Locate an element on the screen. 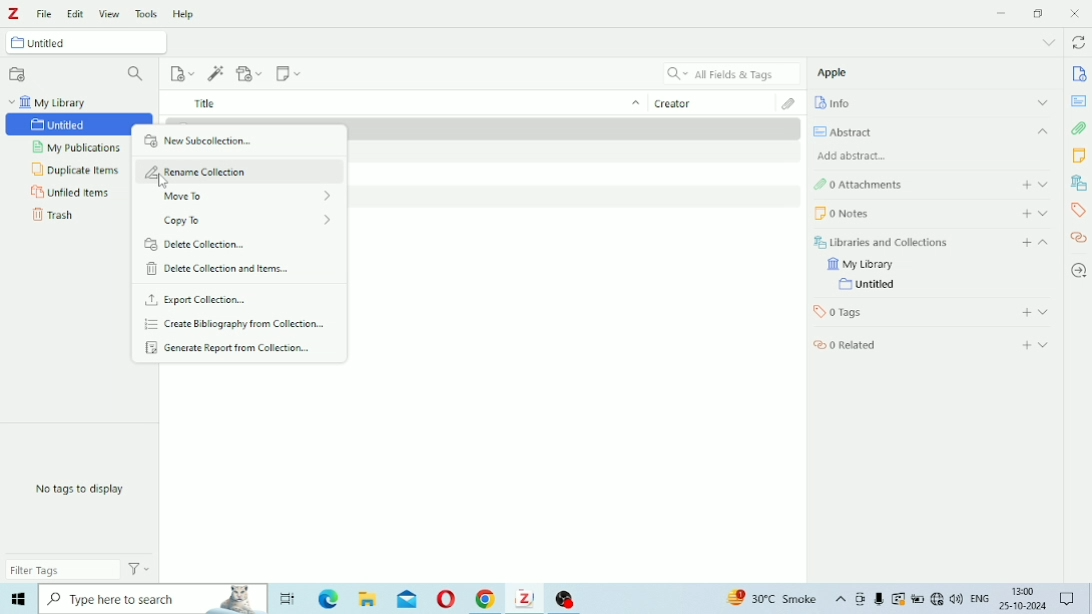 This screenshot has height=614, width=1092. Attachments is located at coordinates (1078, 128).